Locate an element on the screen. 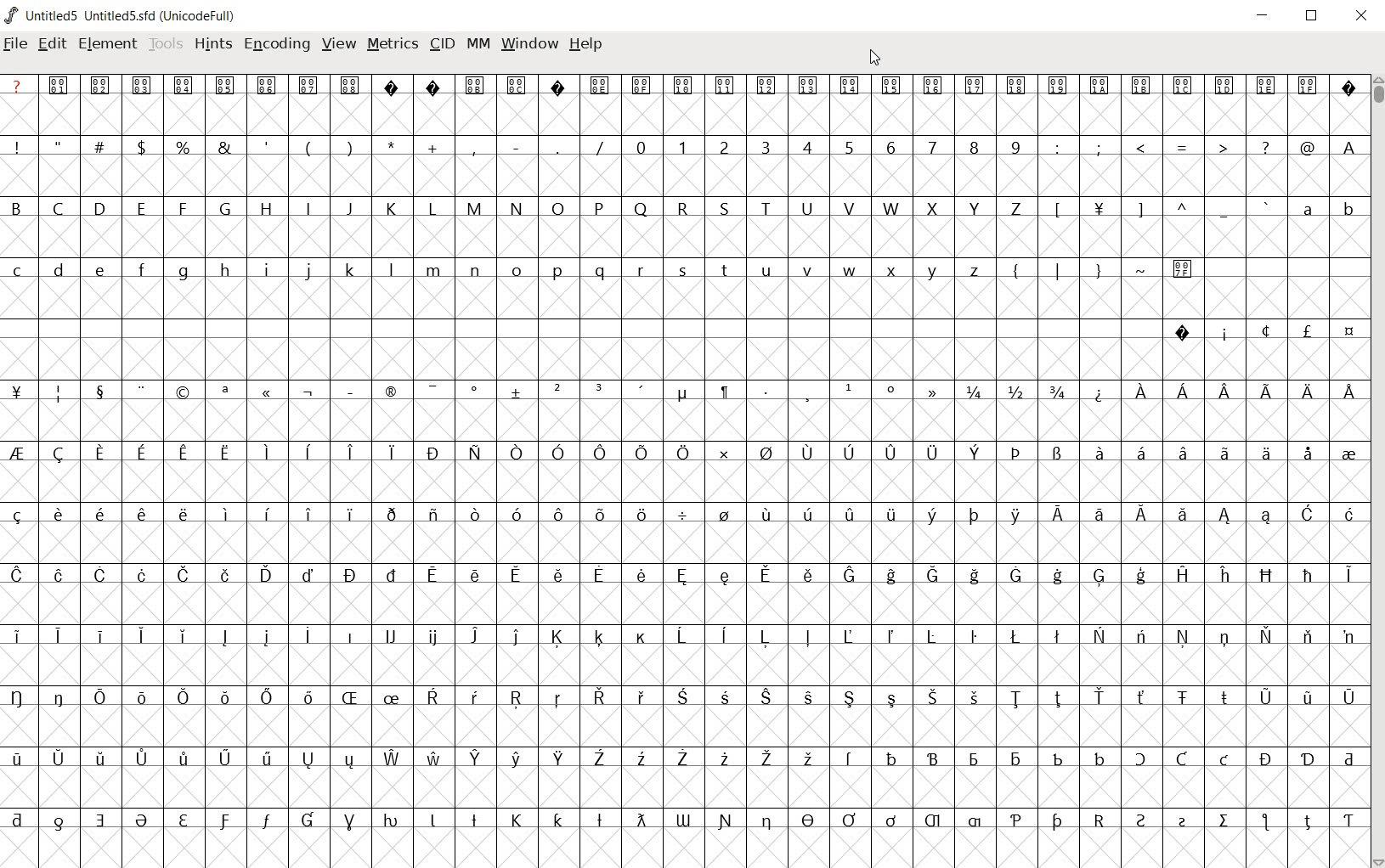 The height and width of the screenshot is (868, 1385). Symbol is located at coordinates (807, 821).